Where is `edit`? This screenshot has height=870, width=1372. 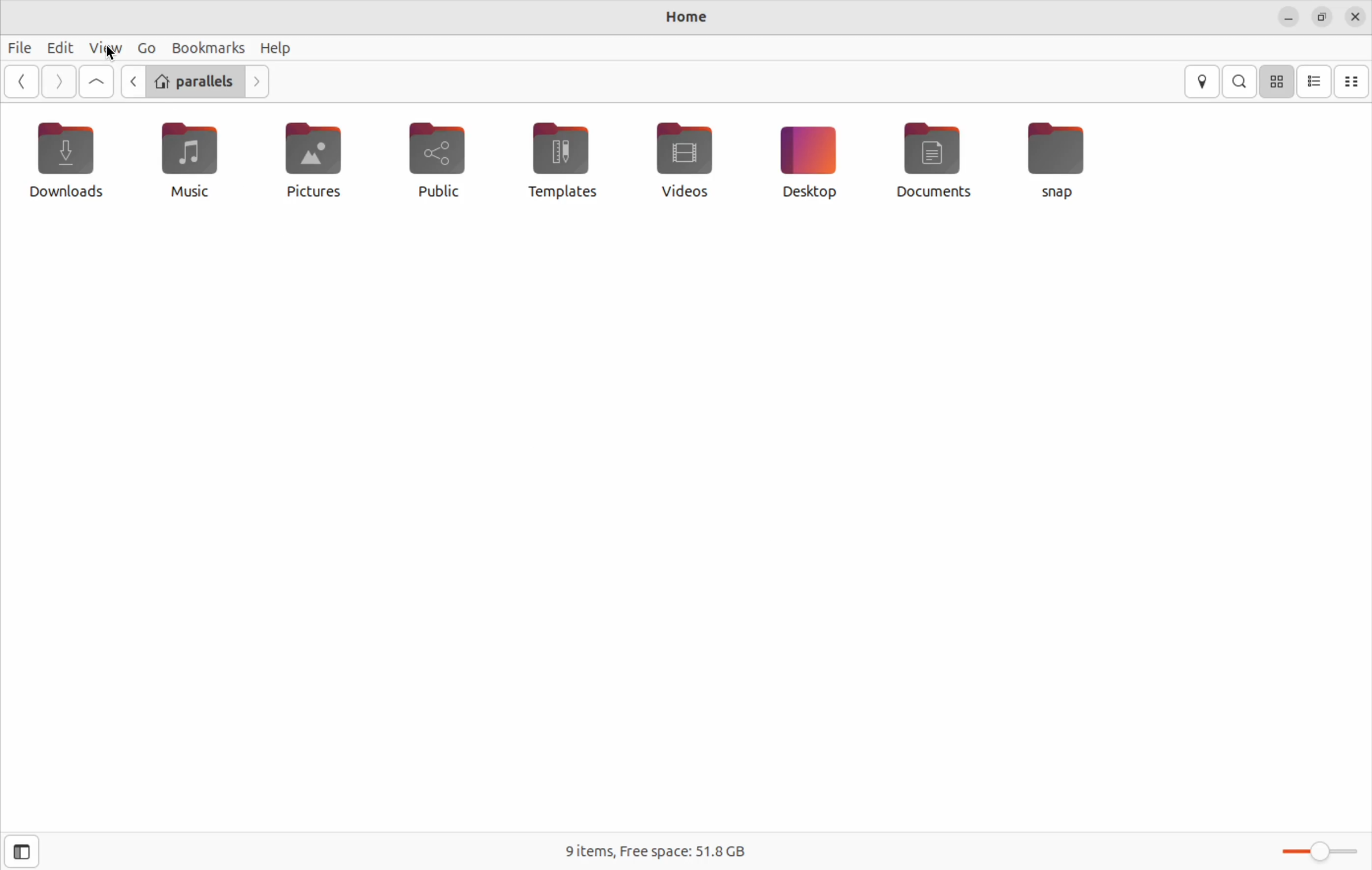 edit is located at coordinates (52, 46).